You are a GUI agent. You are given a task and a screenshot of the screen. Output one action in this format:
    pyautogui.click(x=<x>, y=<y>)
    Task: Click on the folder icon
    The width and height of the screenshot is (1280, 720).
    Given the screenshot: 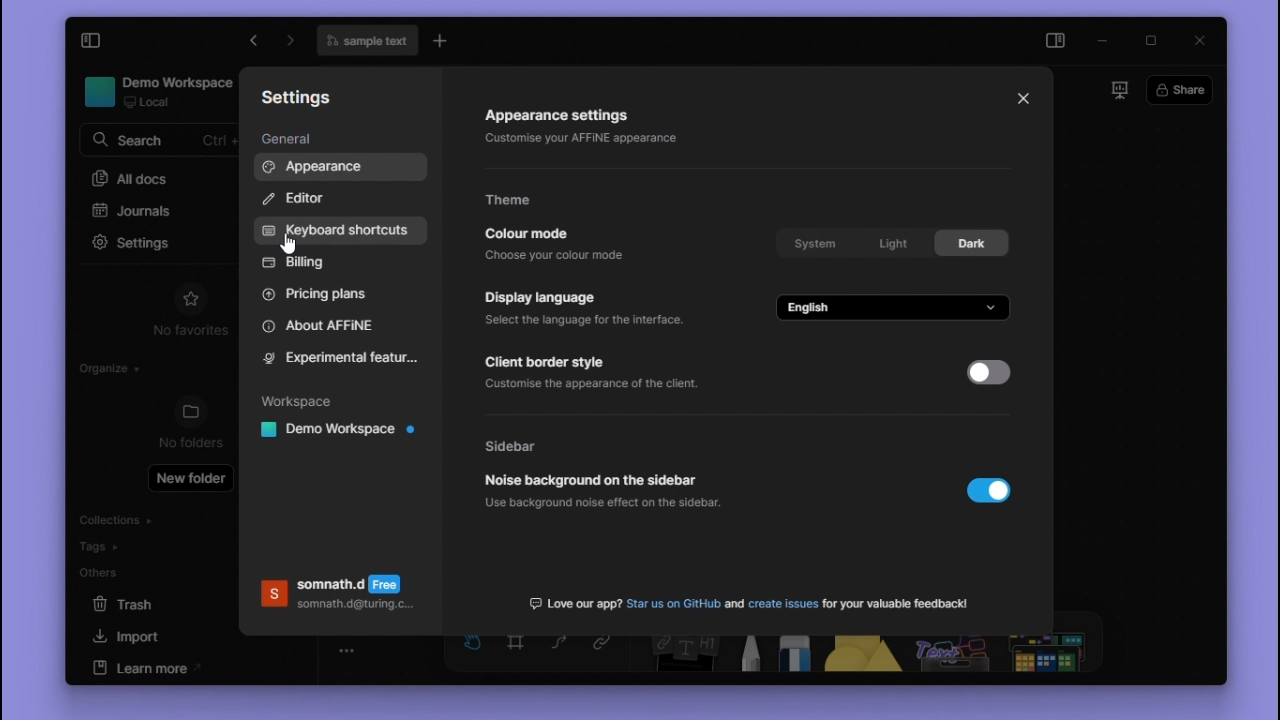 What is the action you would take?
    pyautogui.click(x=189, y=411)
    